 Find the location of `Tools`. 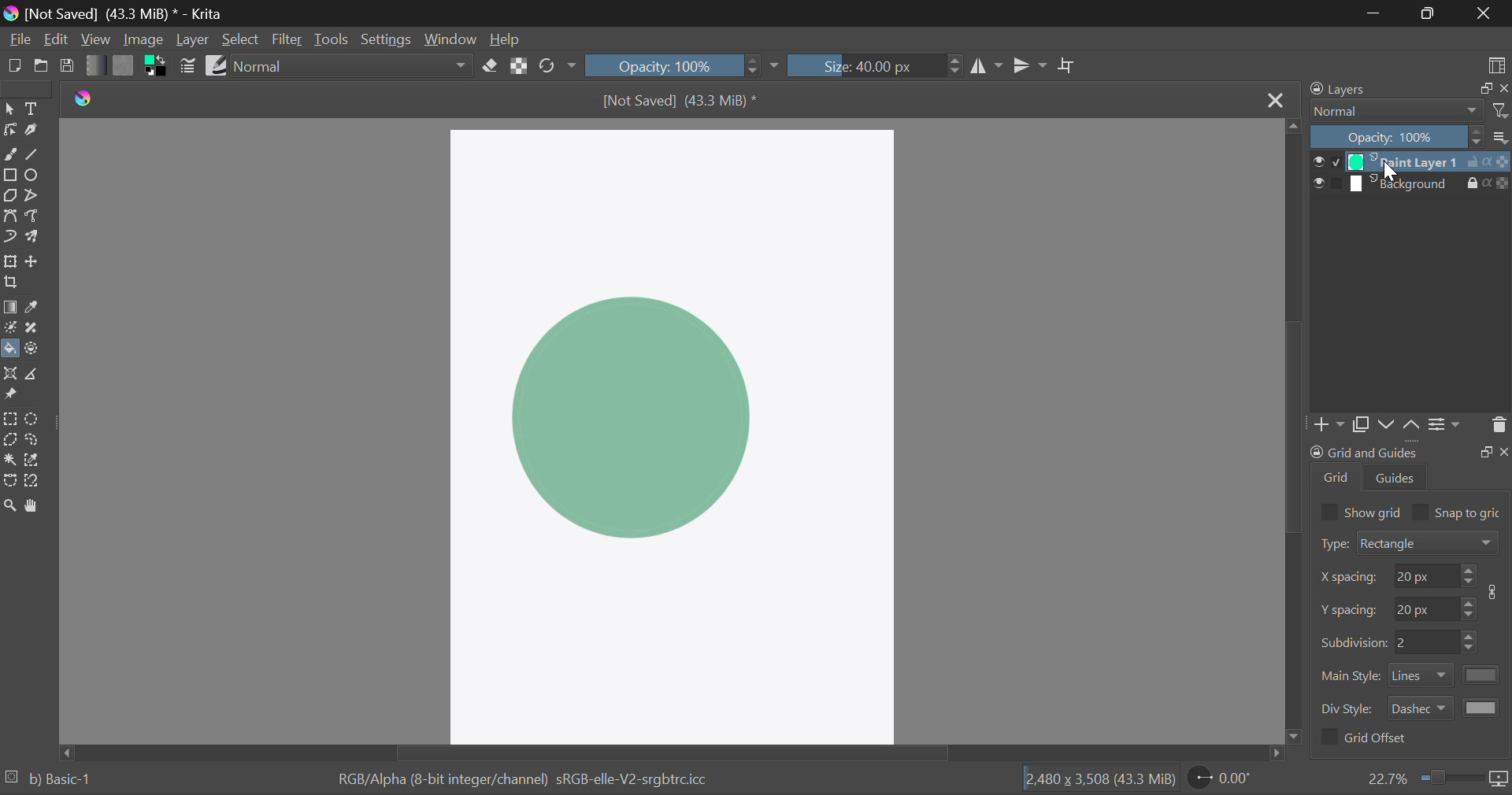

Tools is located at coordinates (332, 39).